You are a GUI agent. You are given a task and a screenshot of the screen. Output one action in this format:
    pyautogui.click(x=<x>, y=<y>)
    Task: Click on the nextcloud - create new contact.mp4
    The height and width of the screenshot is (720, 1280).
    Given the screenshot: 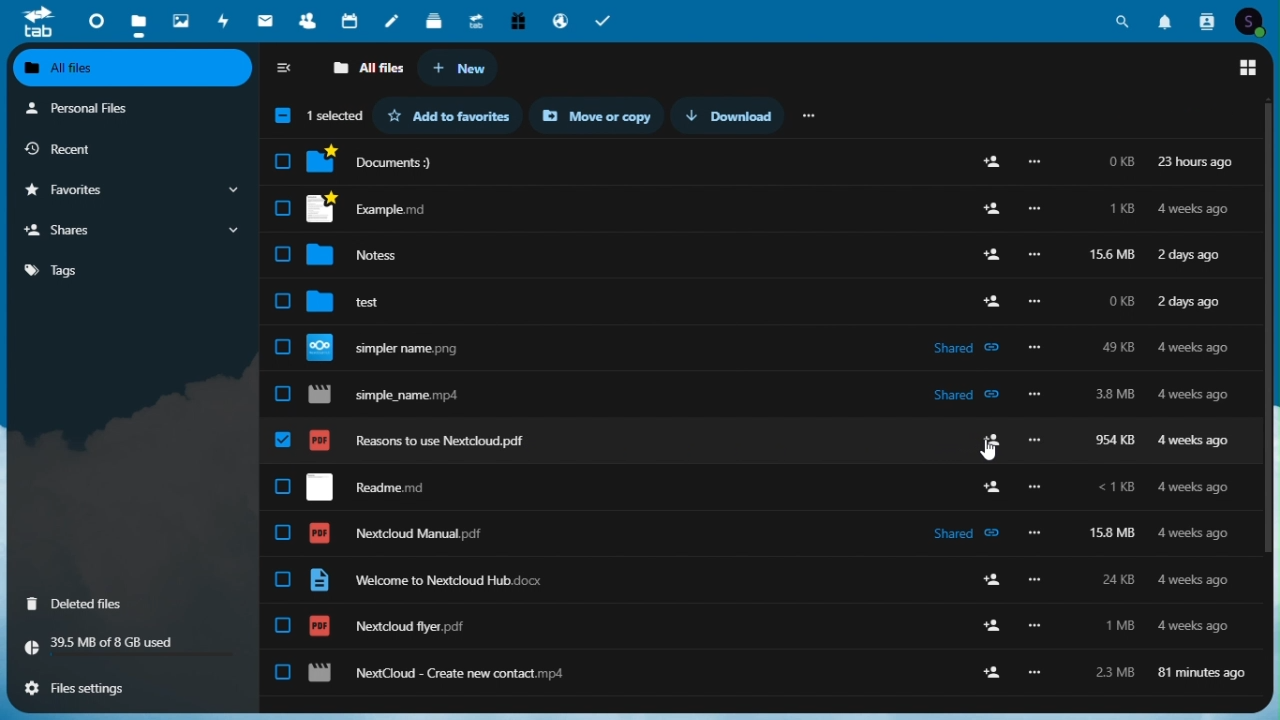 What is the action you would take?
    pyautogui.click(x=437, y=674)
    